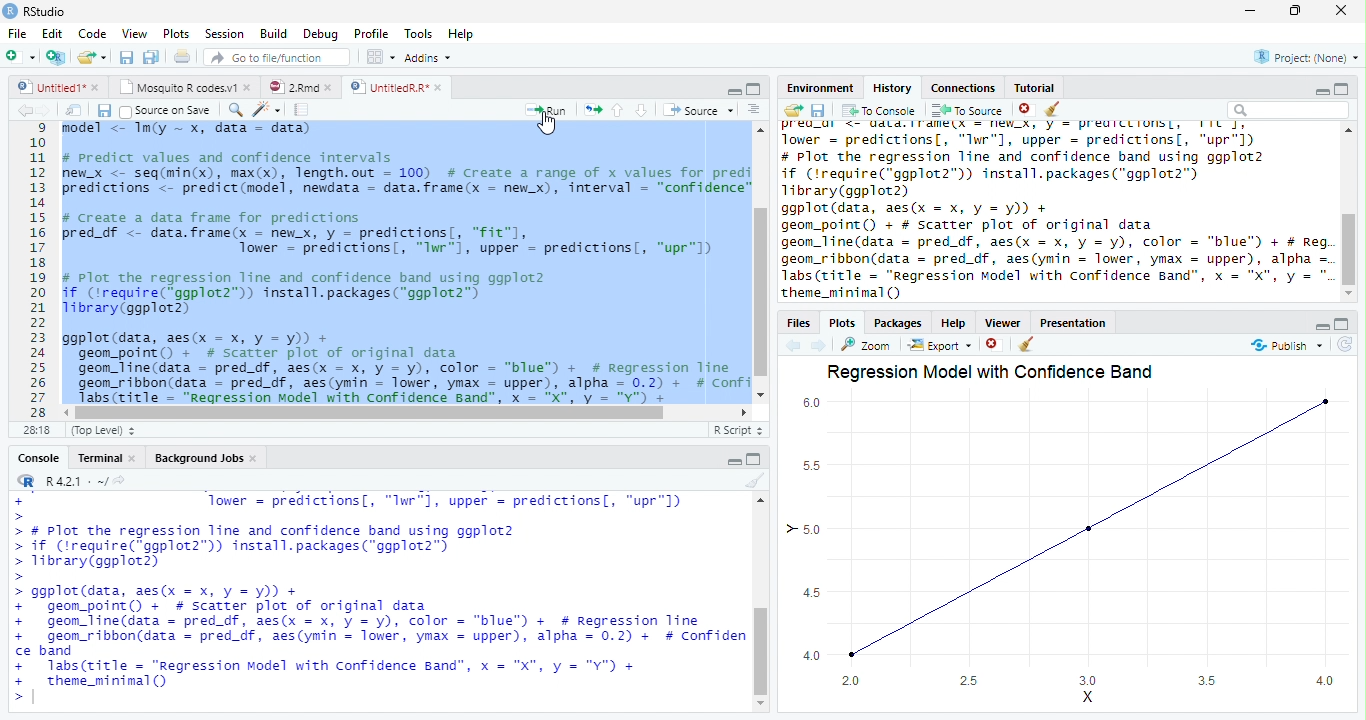 The height and width of the screenshot is (720, 1366). Describe the element at coordinates (1072, 323) in the screenshot. I see `Presentation` at that location.